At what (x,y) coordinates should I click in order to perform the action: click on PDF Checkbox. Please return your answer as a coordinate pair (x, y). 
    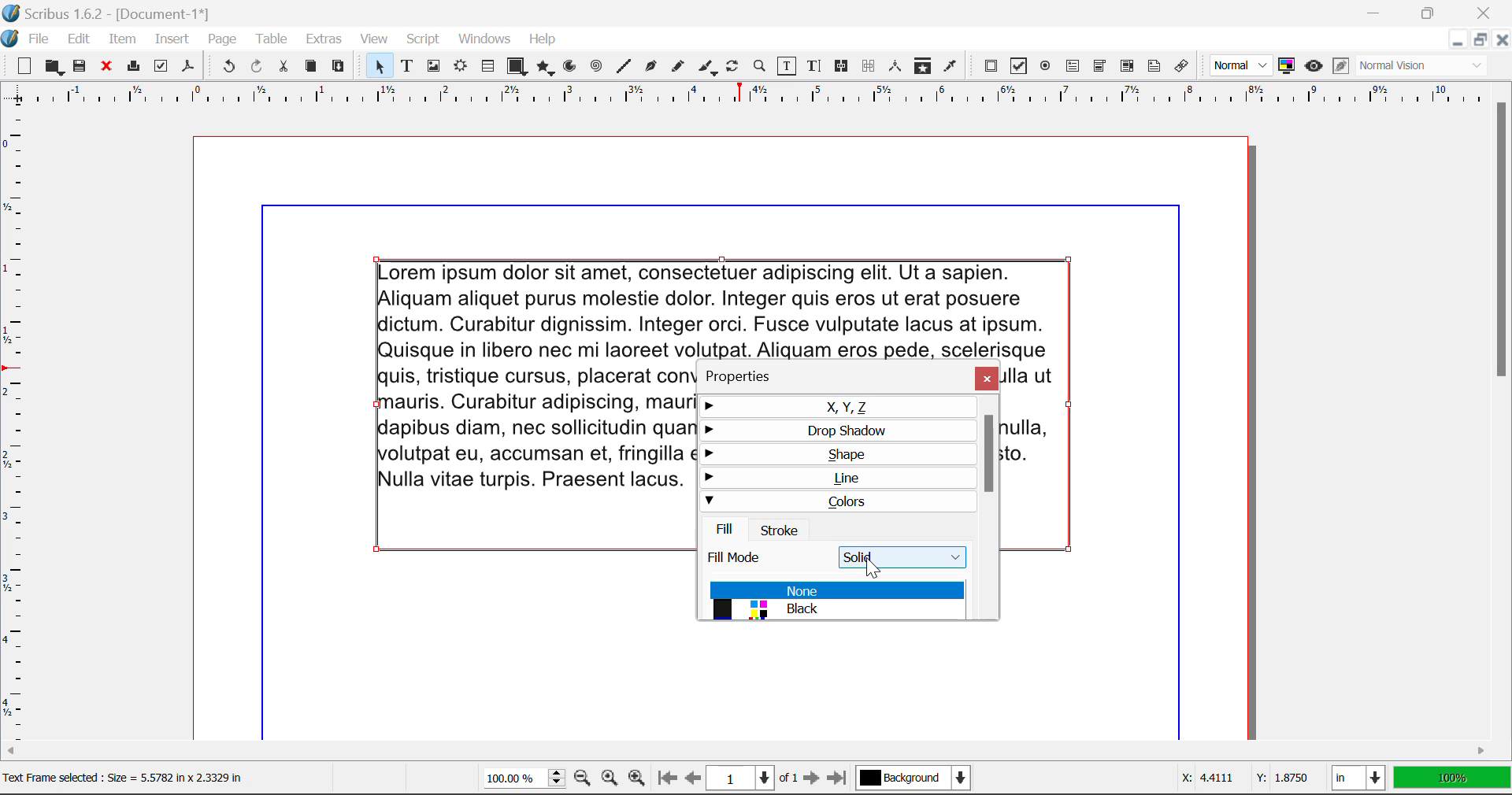
    Looking at the image, I should click on (1017, 66).